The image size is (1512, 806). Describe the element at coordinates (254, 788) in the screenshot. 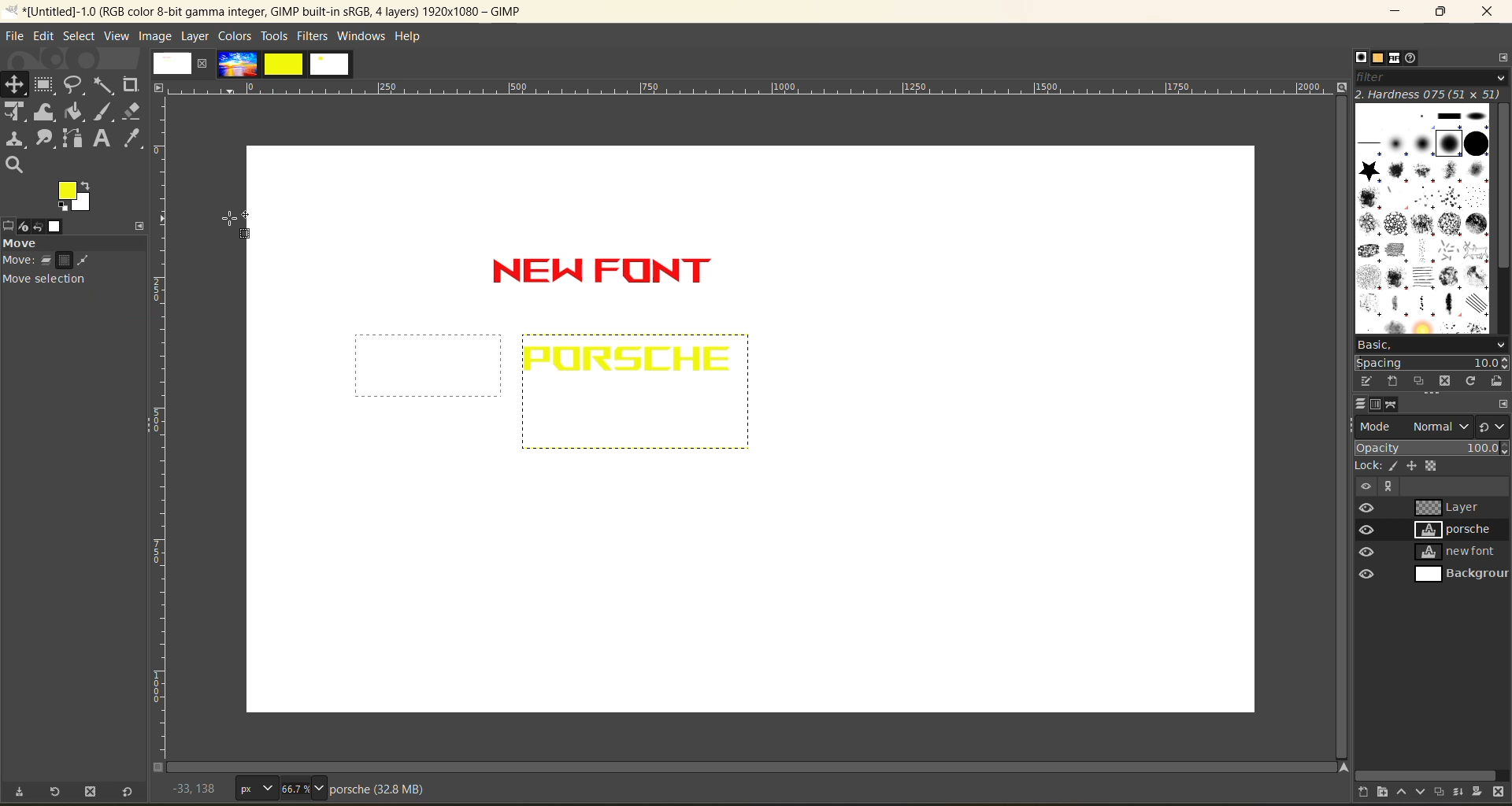

I see `px` at that location.